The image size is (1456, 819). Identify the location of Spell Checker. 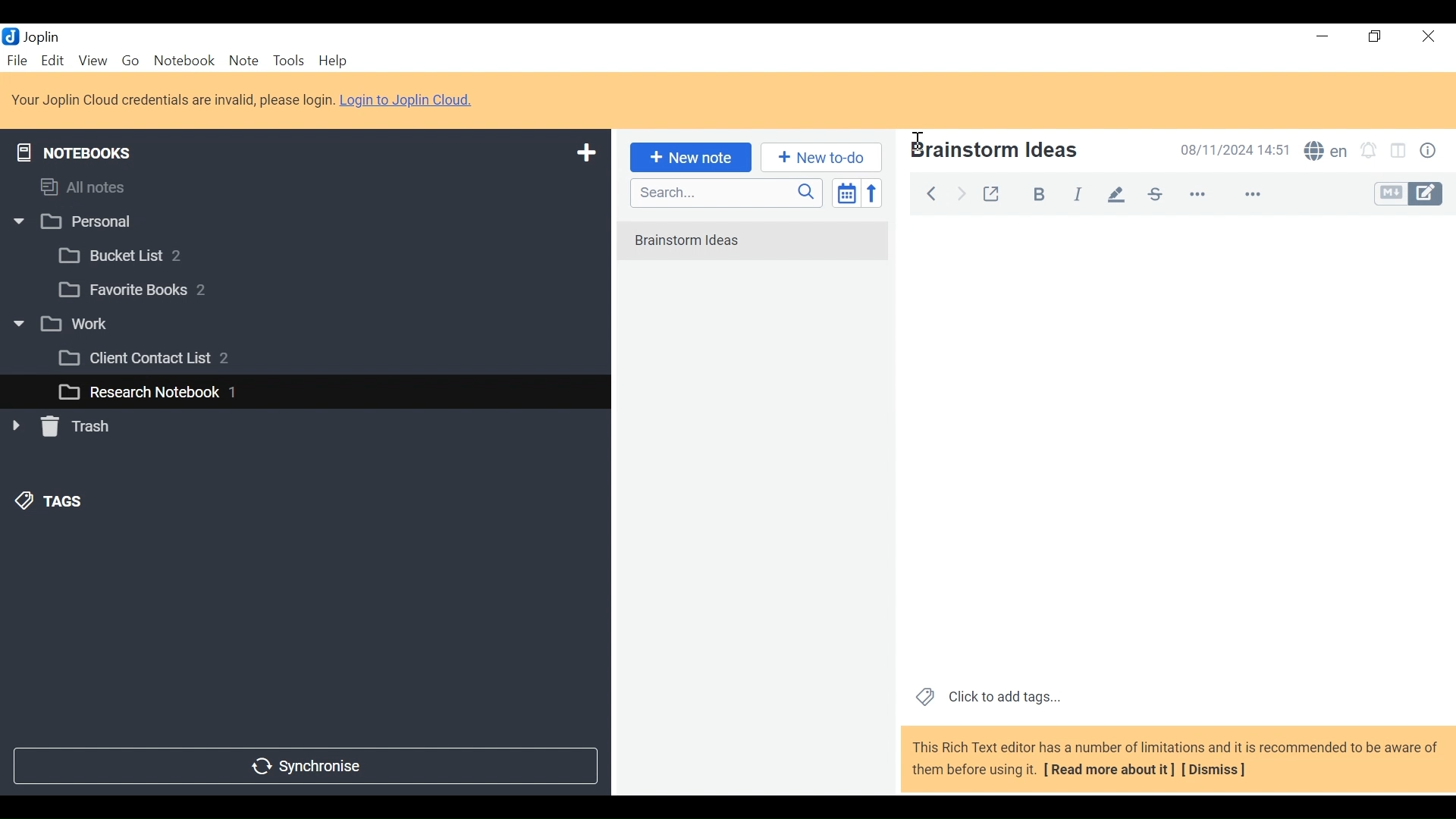
(1326, 152).